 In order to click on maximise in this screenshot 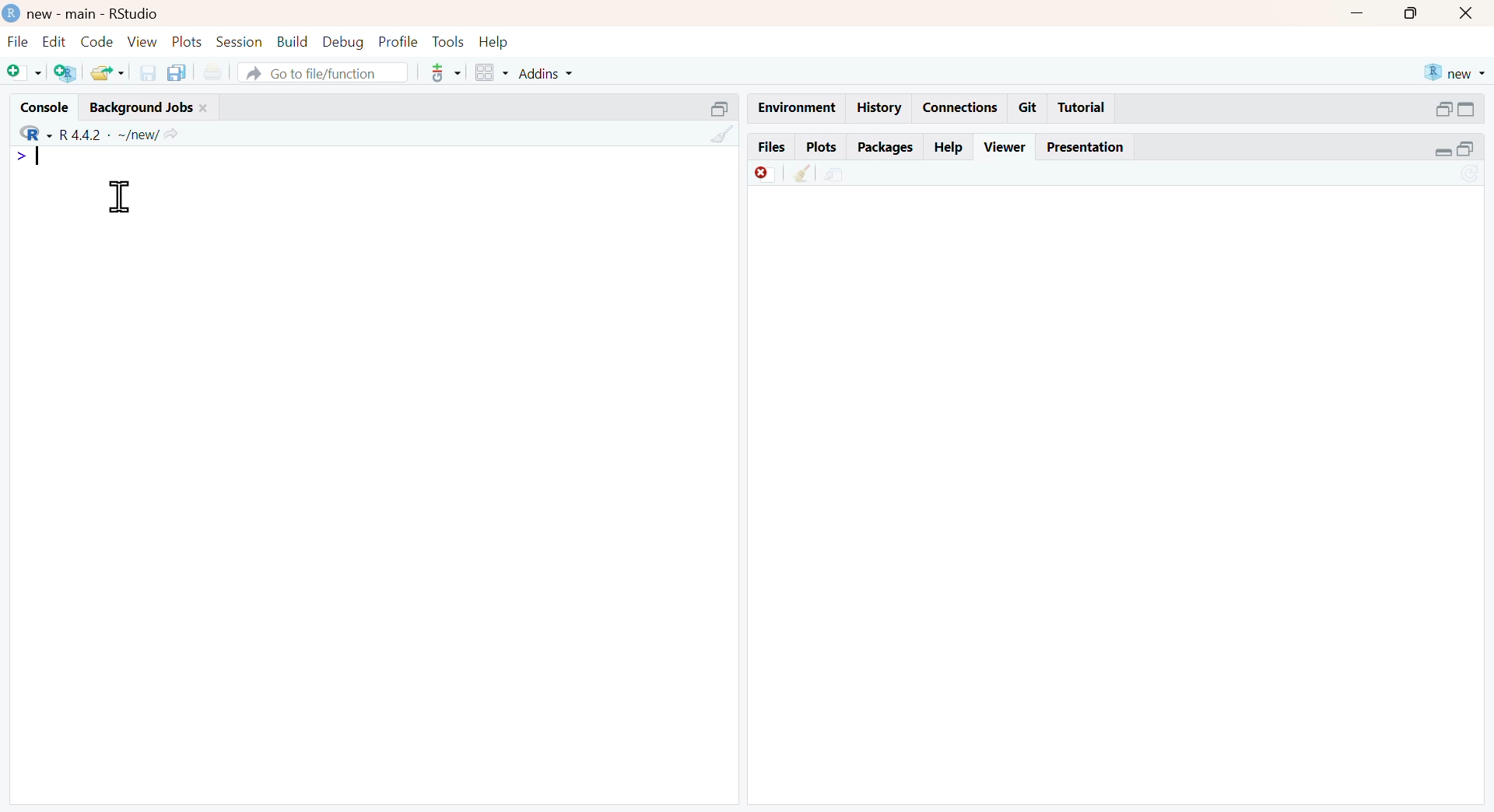, I will do `click(1412, 12)`.